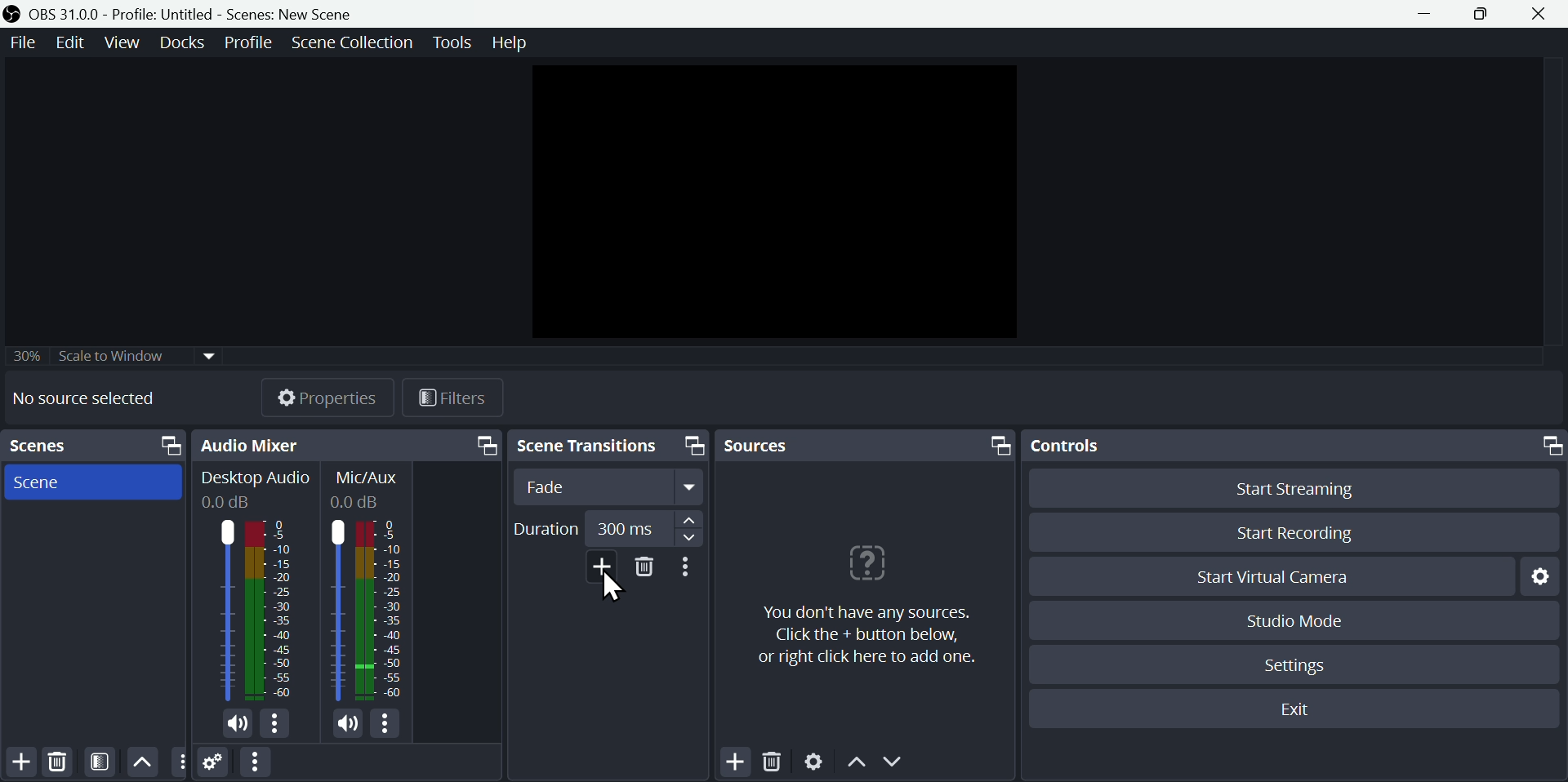  I want to click on Audio bar, so click(253, 610).